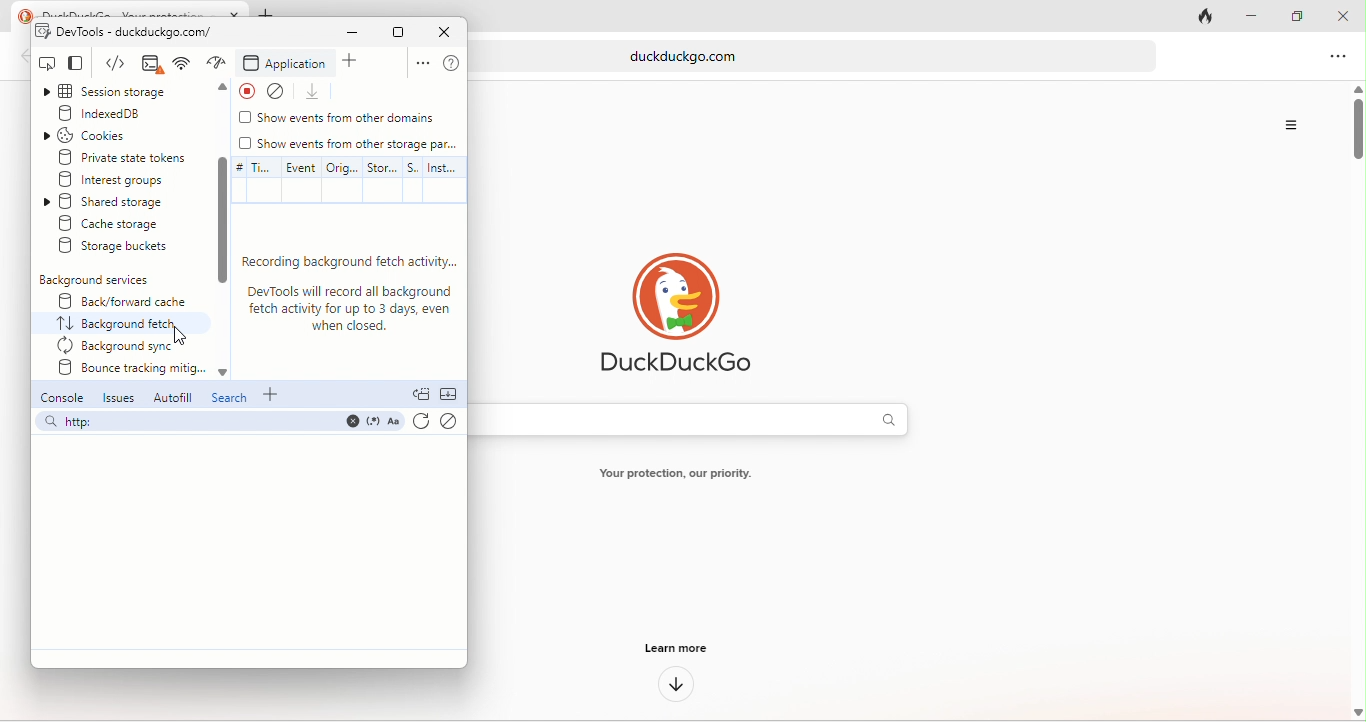 This screenshot has width=1366, height=722. Describe the element at coordinates (339, 120) in the screenshot. I see `show events from other domains` at that location.